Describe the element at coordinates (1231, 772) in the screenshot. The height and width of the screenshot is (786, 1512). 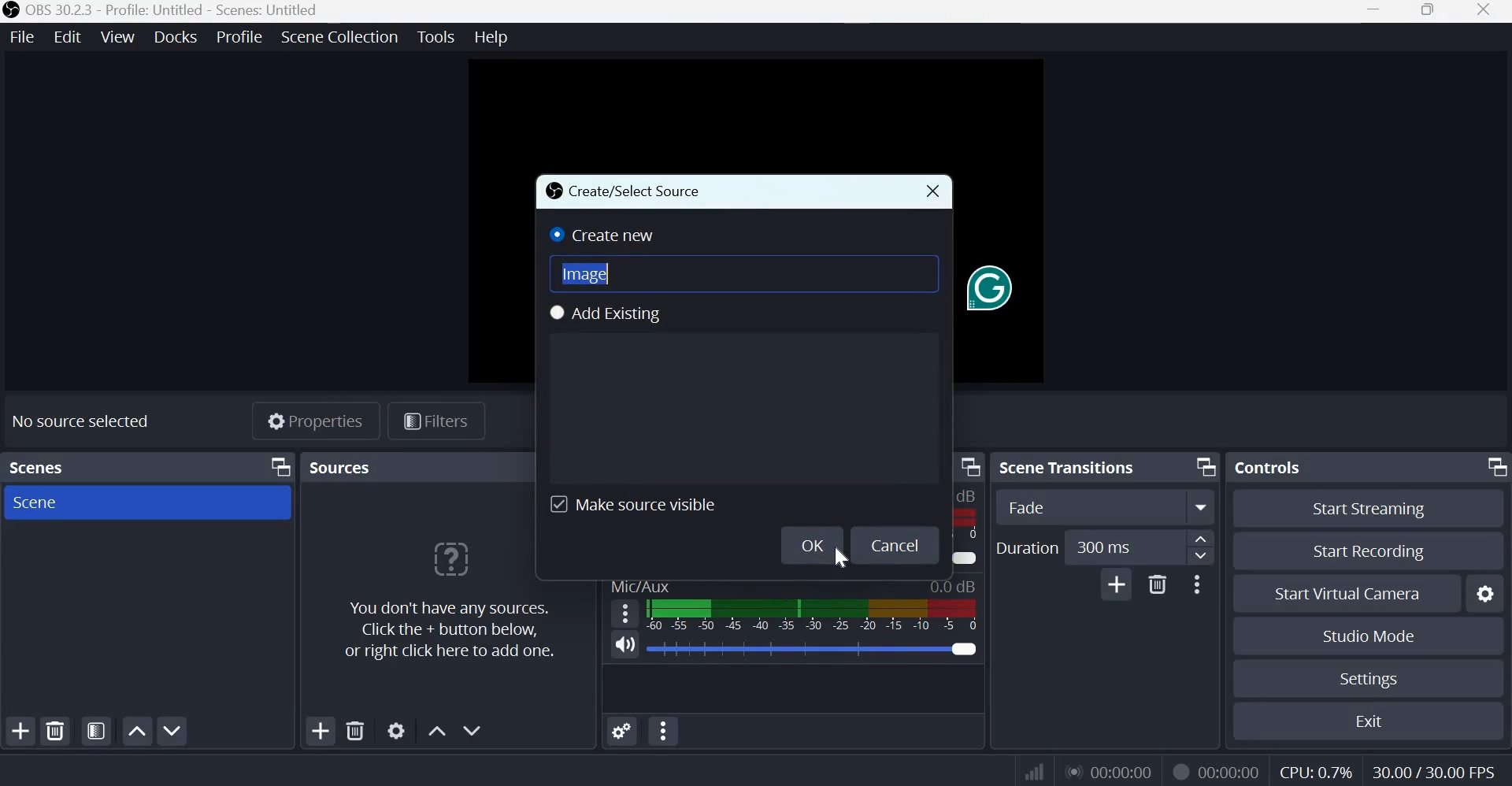
I see `00:00:00` at that location.